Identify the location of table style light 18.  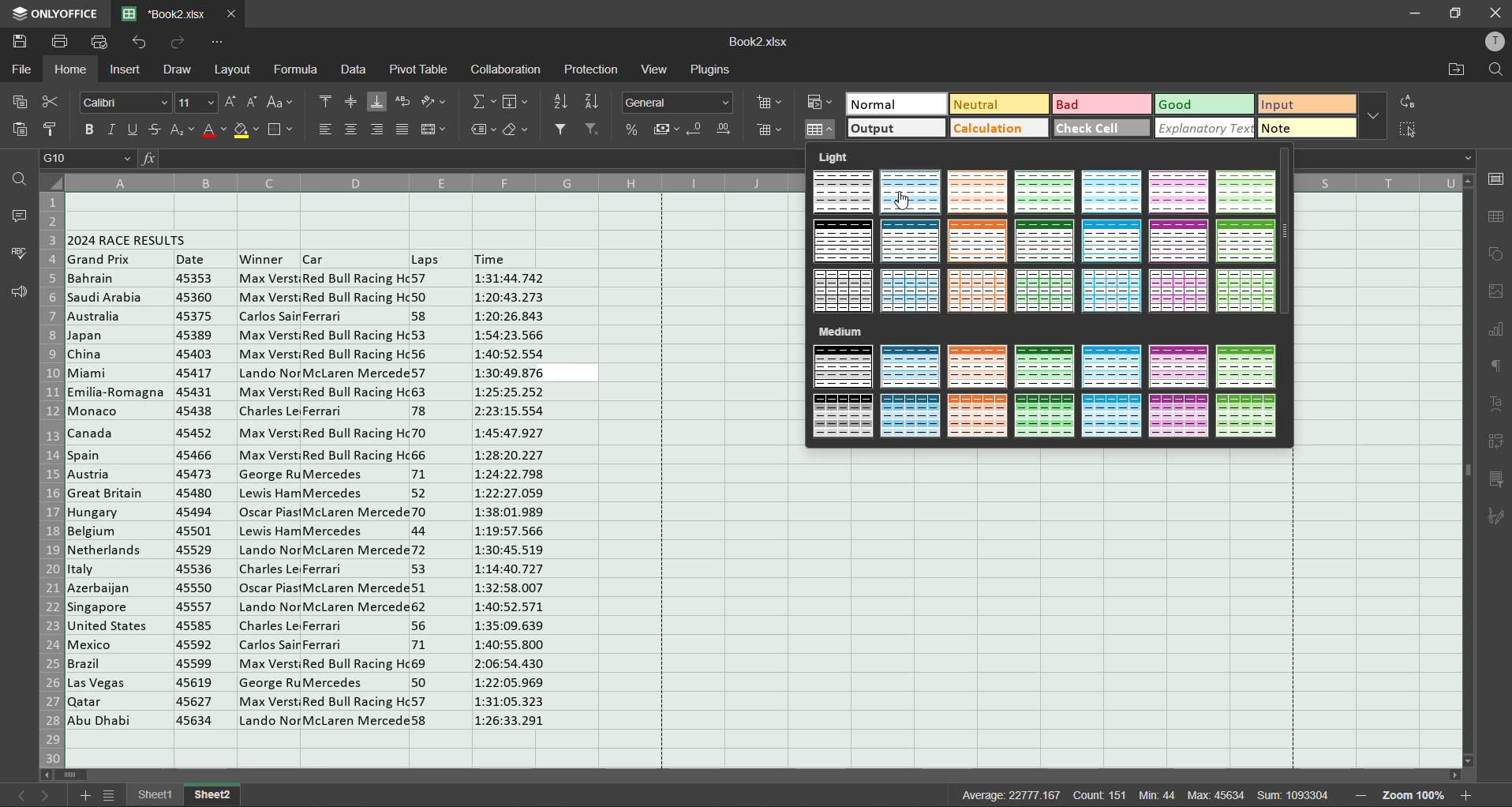
(1048, 291).